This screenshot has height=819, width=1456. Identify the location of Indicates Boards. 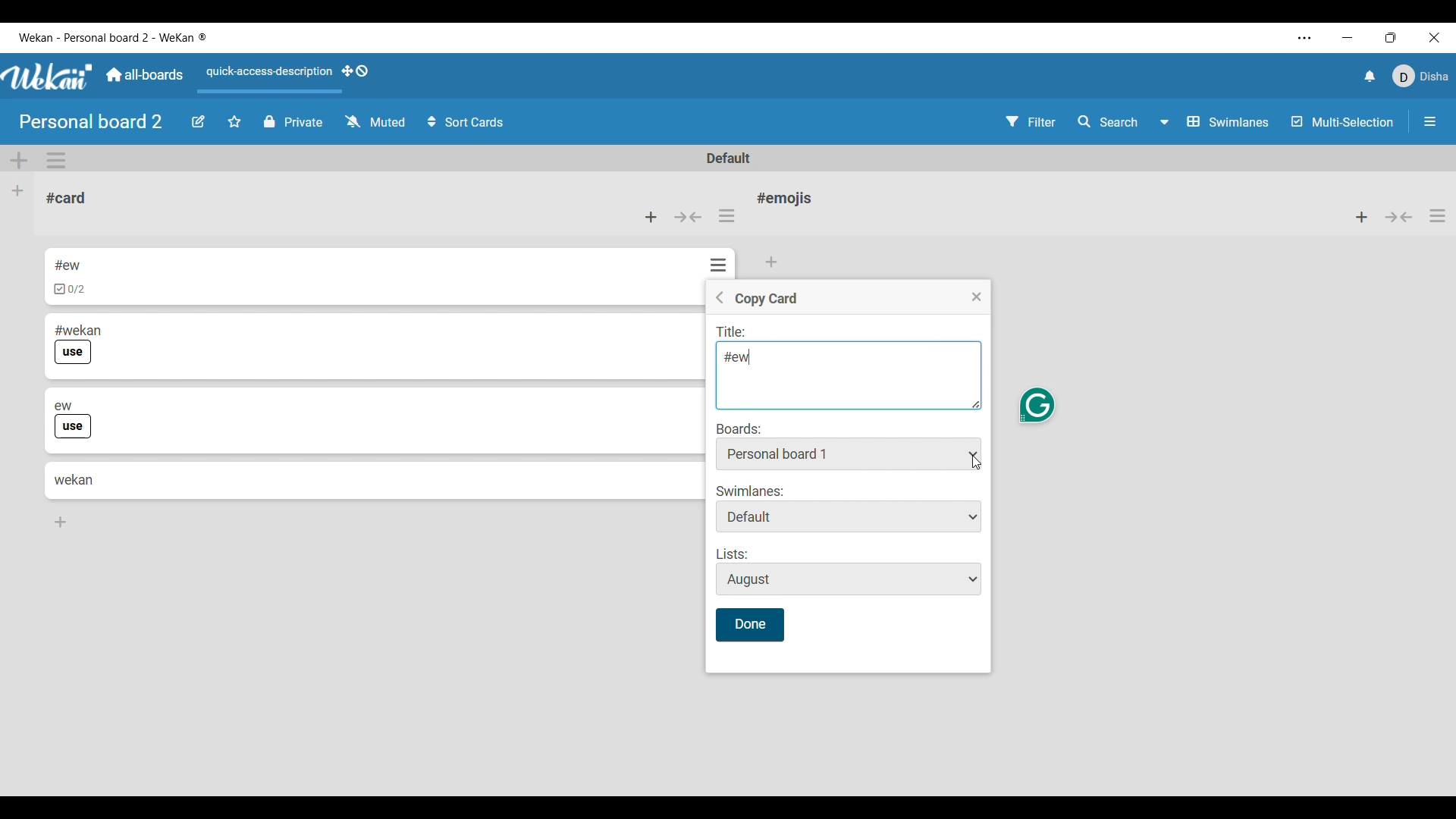
(739, 428).